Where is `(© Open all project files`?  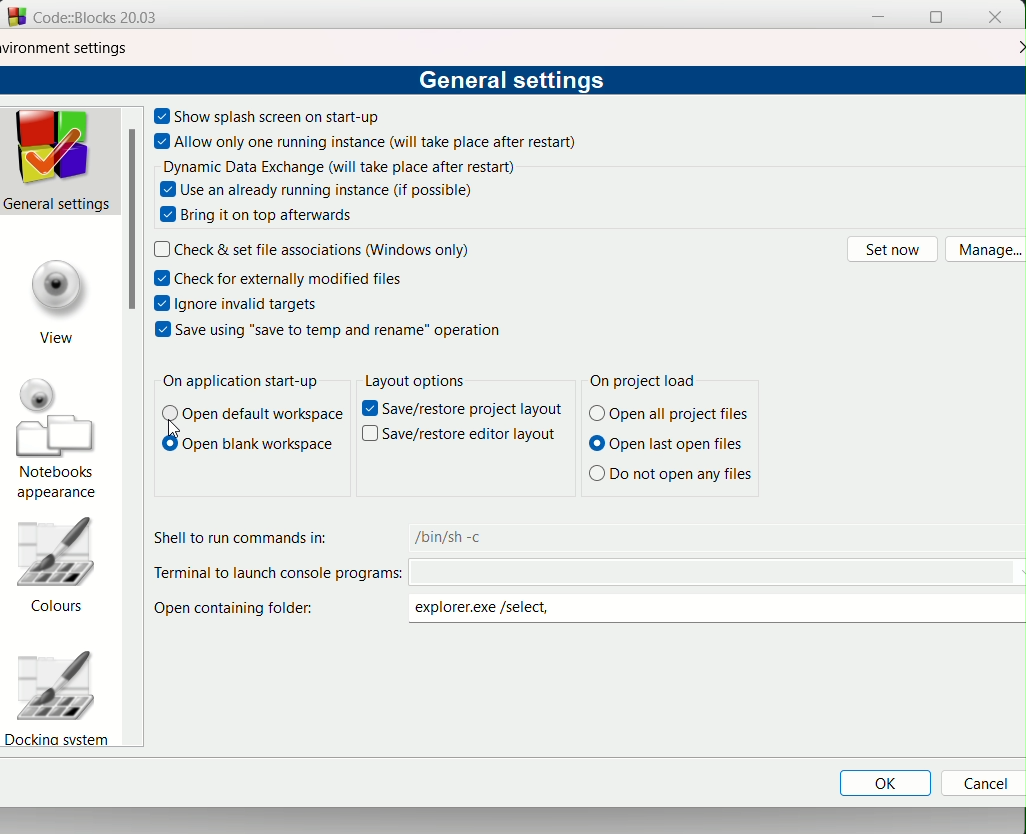
(© Open all project files is located at coordinates (672, 414).